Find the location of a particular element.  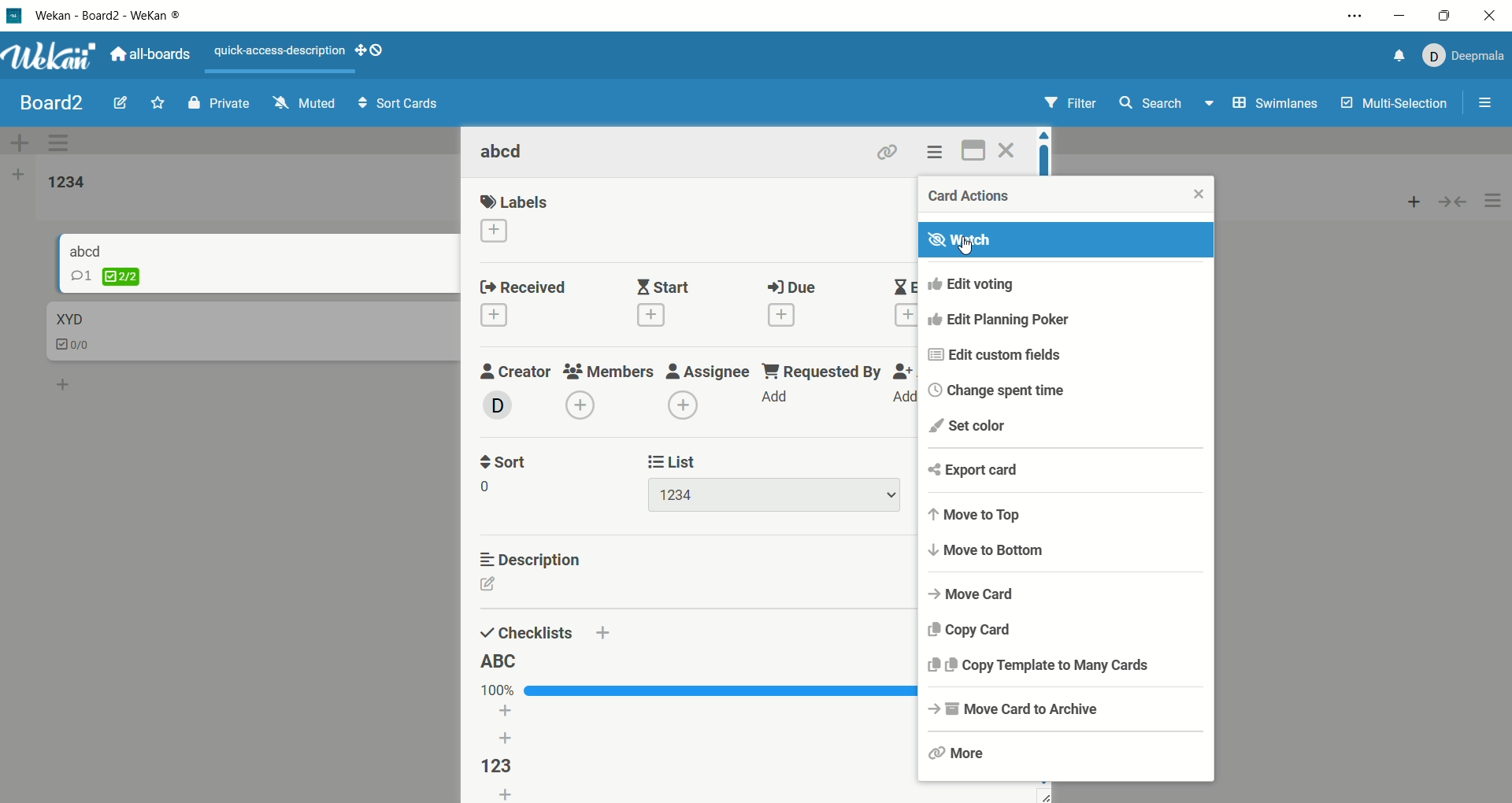

due is located at coordinates (791, 305).